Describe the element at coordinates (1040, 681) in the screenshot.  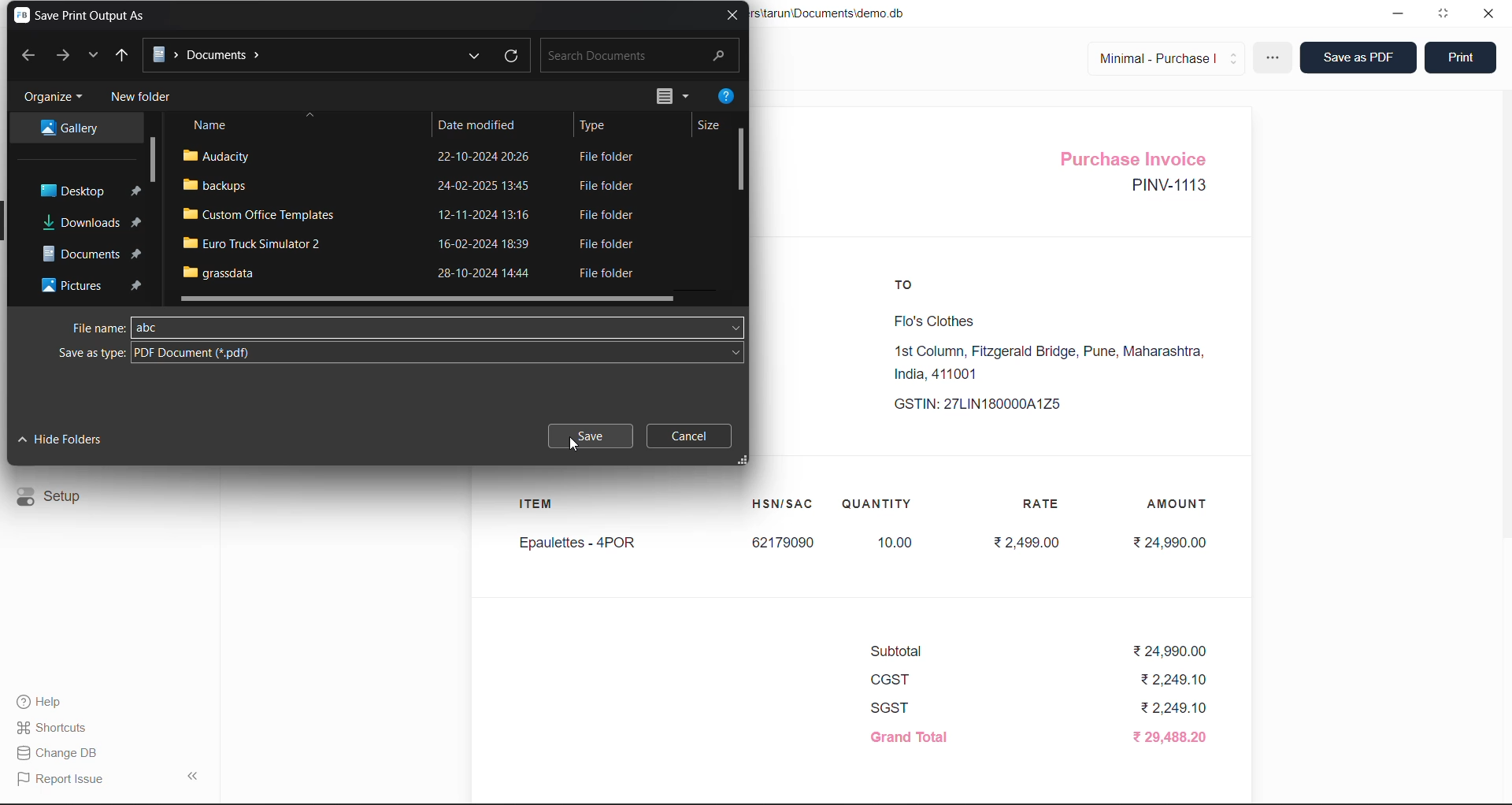
I see `CGST ₹2,249.10` at that location.